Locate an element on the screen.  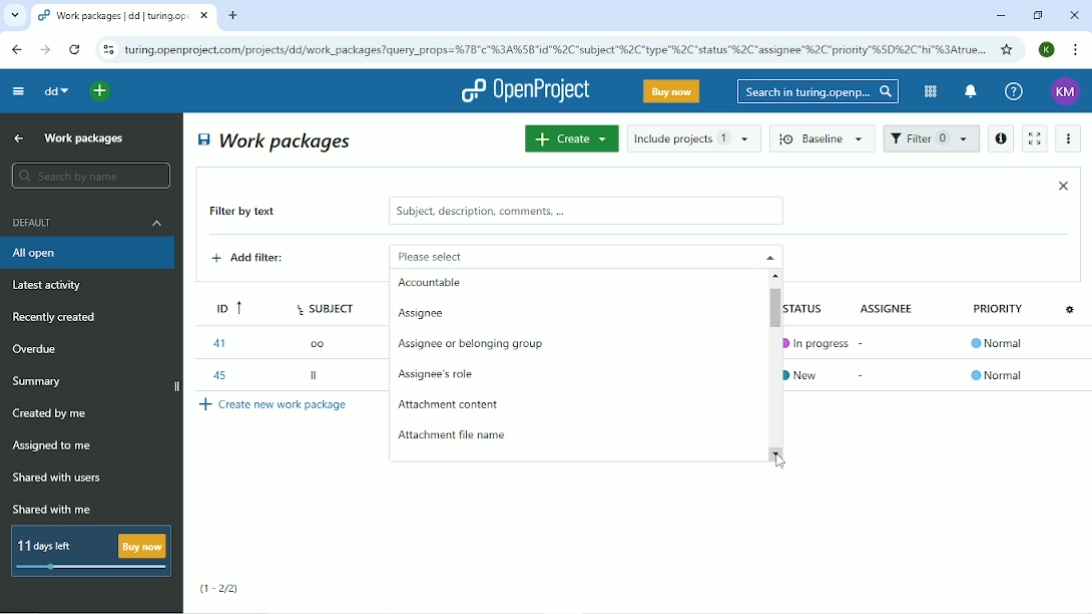
11 days left buy now is located at coordinates (89, 551).